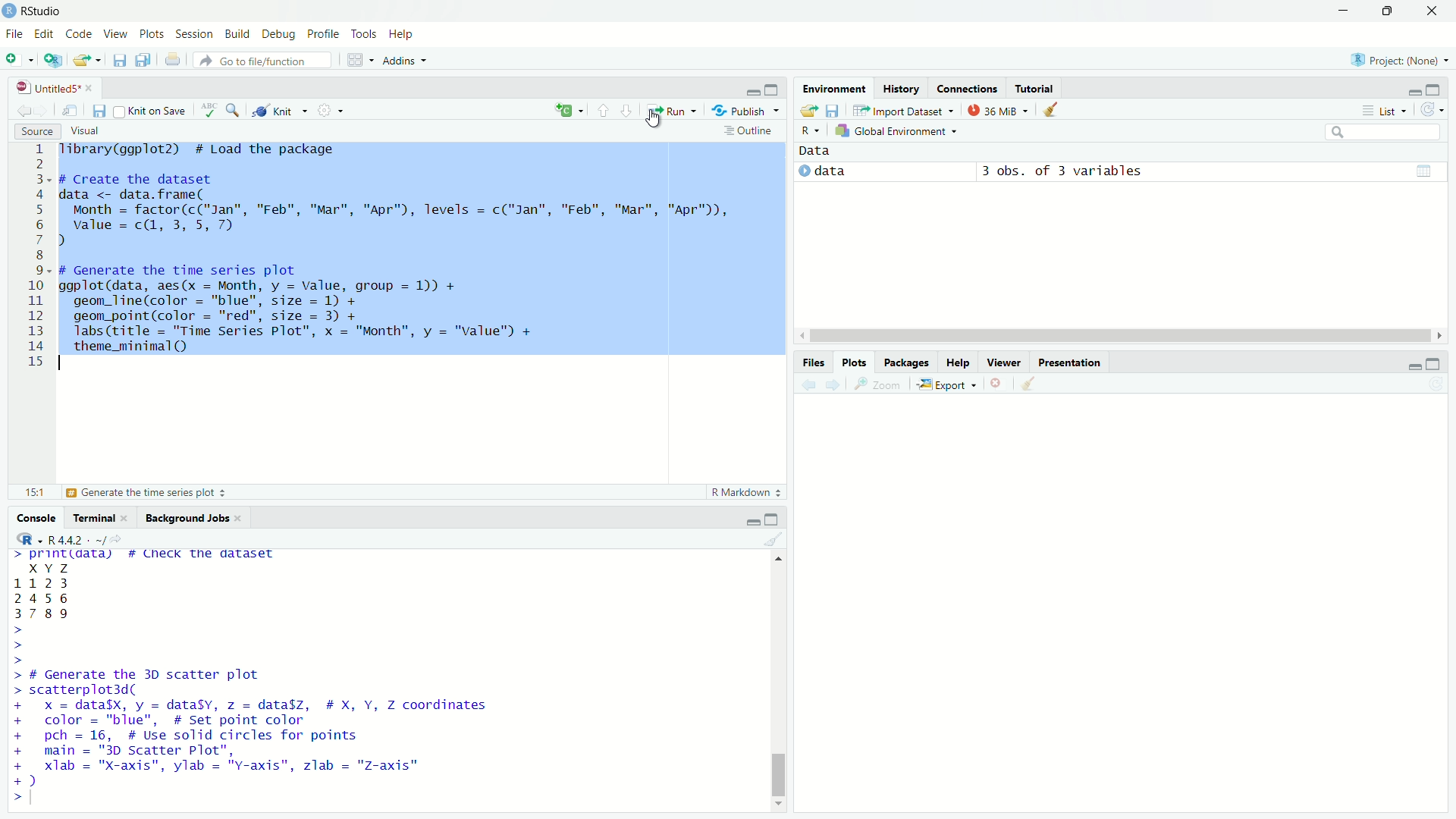 The image size is (1456, 819). I want to click on help, so click(406, 36).